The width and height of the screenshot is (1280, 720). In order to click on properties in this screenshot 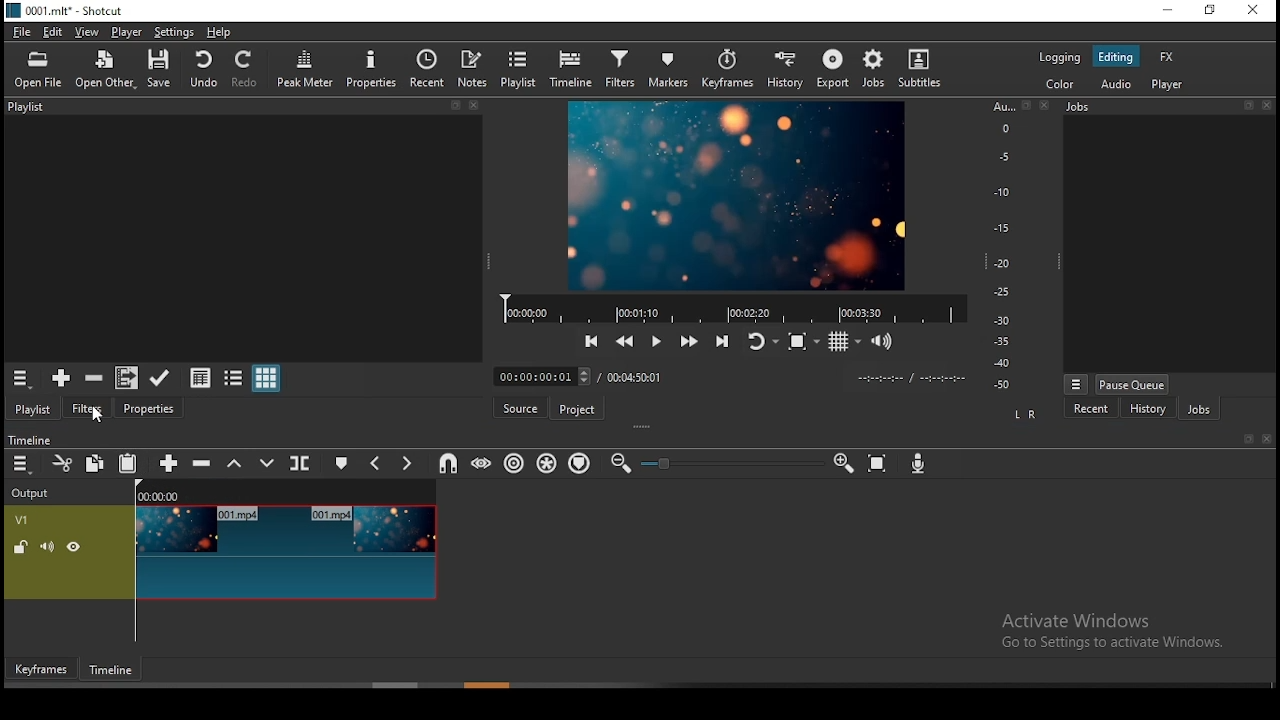, I will do `click(150, 409)`.